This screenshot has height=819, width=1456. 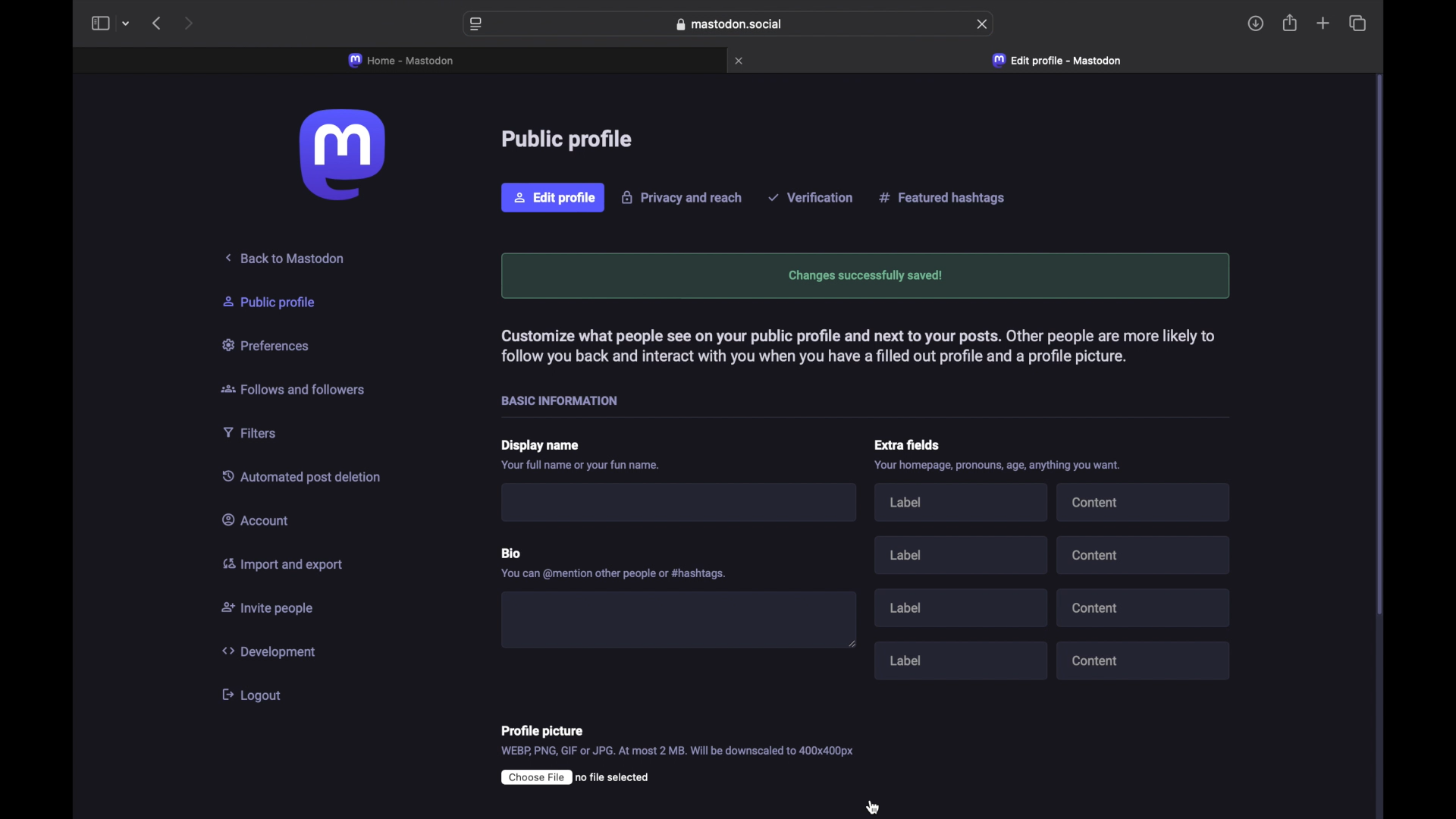 What do you see at coordinates (960, 553) in the screenshot?
I see `label` at bounding box center [960, 553].